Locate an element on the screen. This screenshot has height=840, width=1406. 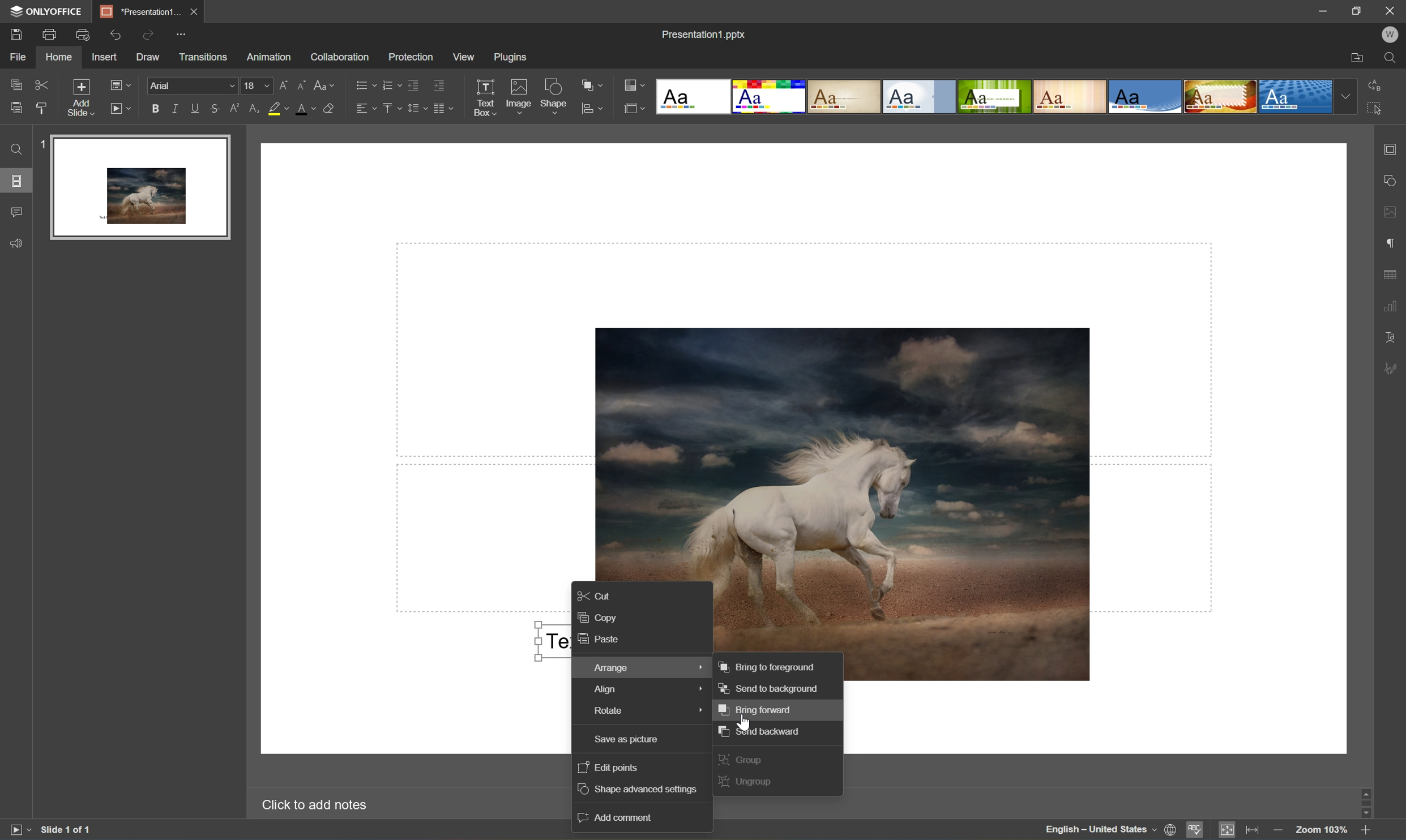
Insert columns is located at coordinates (443, 107).